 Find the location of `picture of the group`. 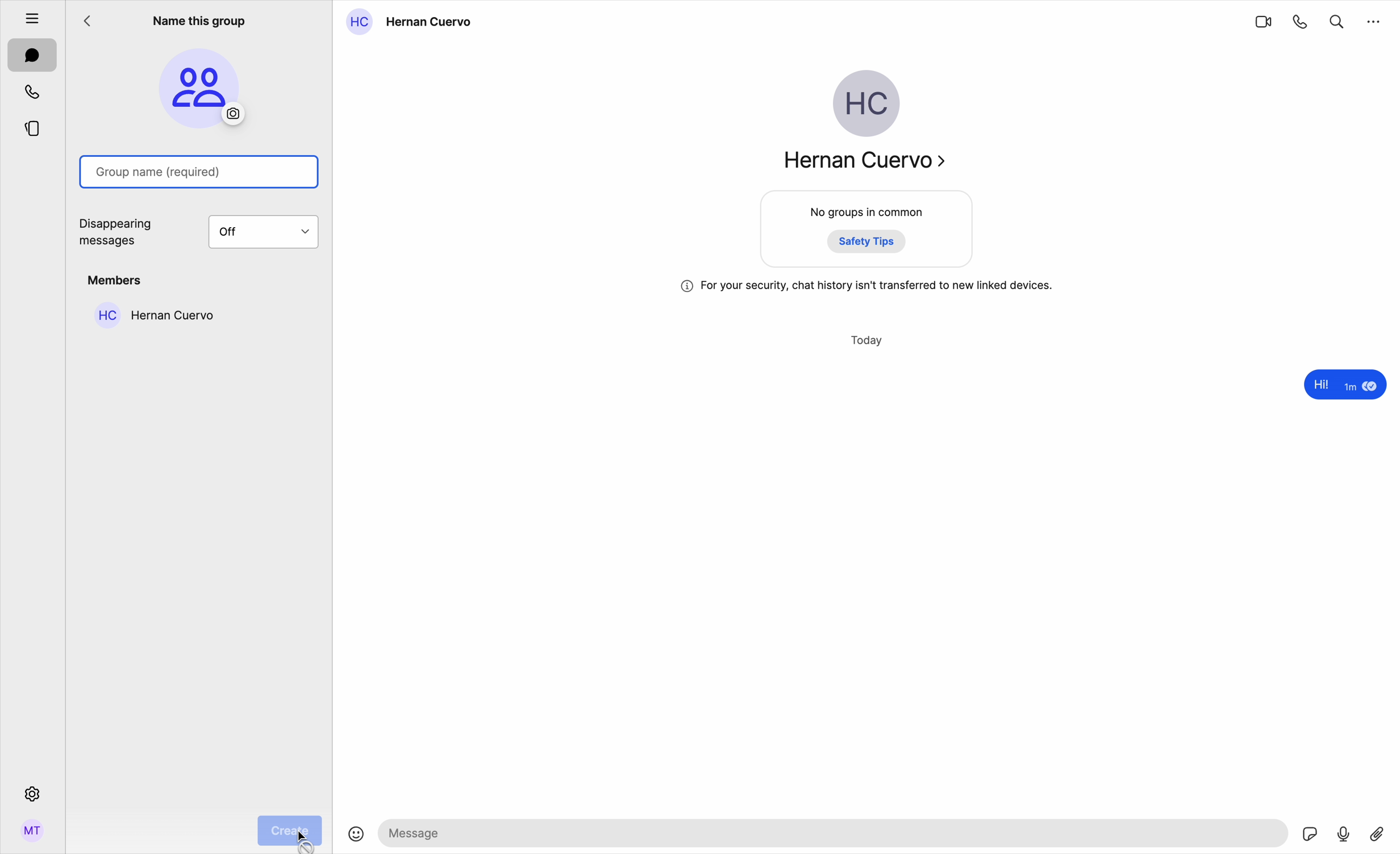

picture of the group is located at coordinates (200, 88).